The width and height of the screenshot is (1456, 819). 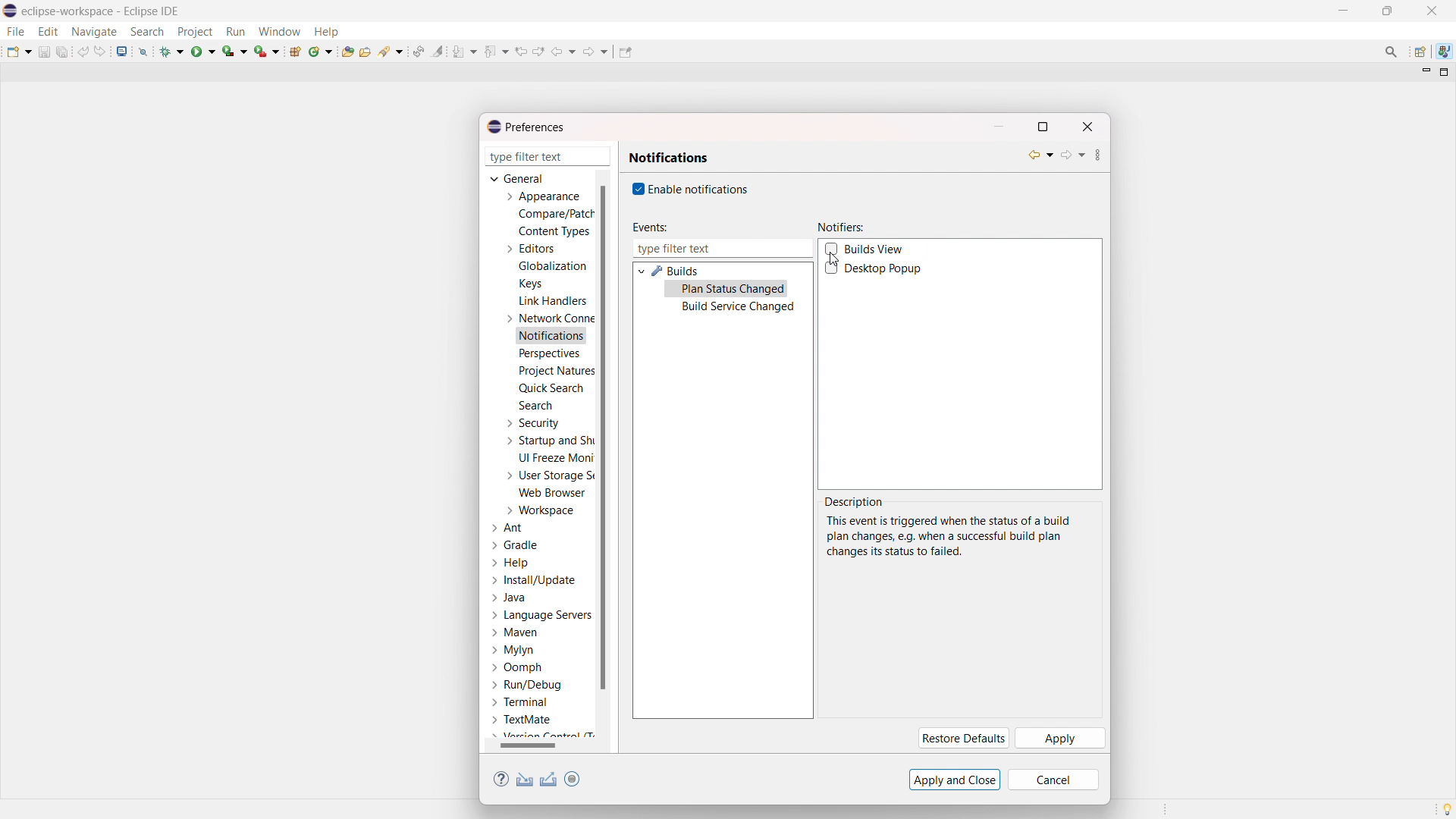 What do you see at coordinates (552, 337) in the screenshot?
I see `notifications` at bounding box center [552, 337].